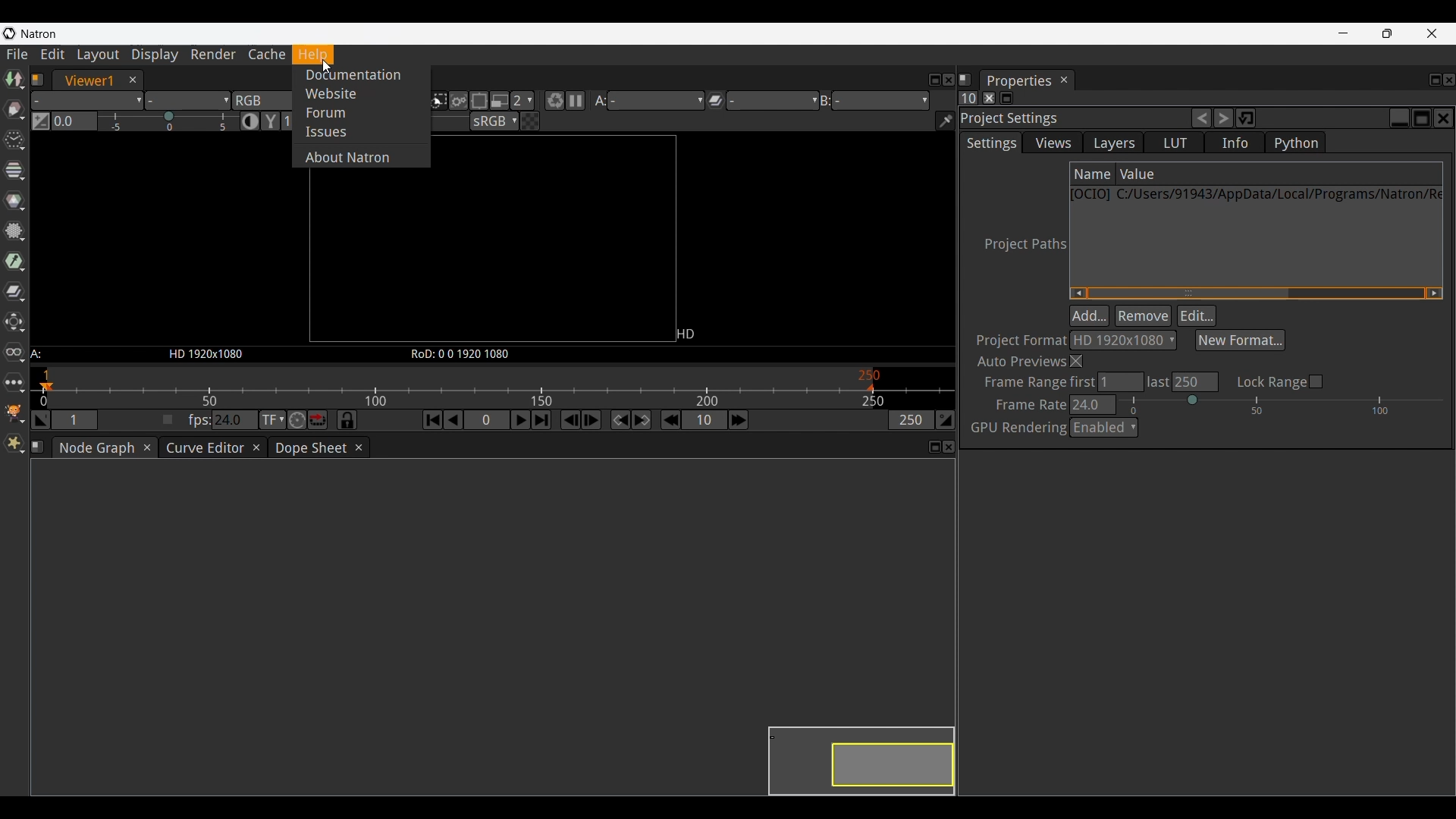 The image size is (1456, 819). What do you see at coordinates (642, 420) in the screenshot?
I see `Next keyframe` at bounding box center [642, 420].